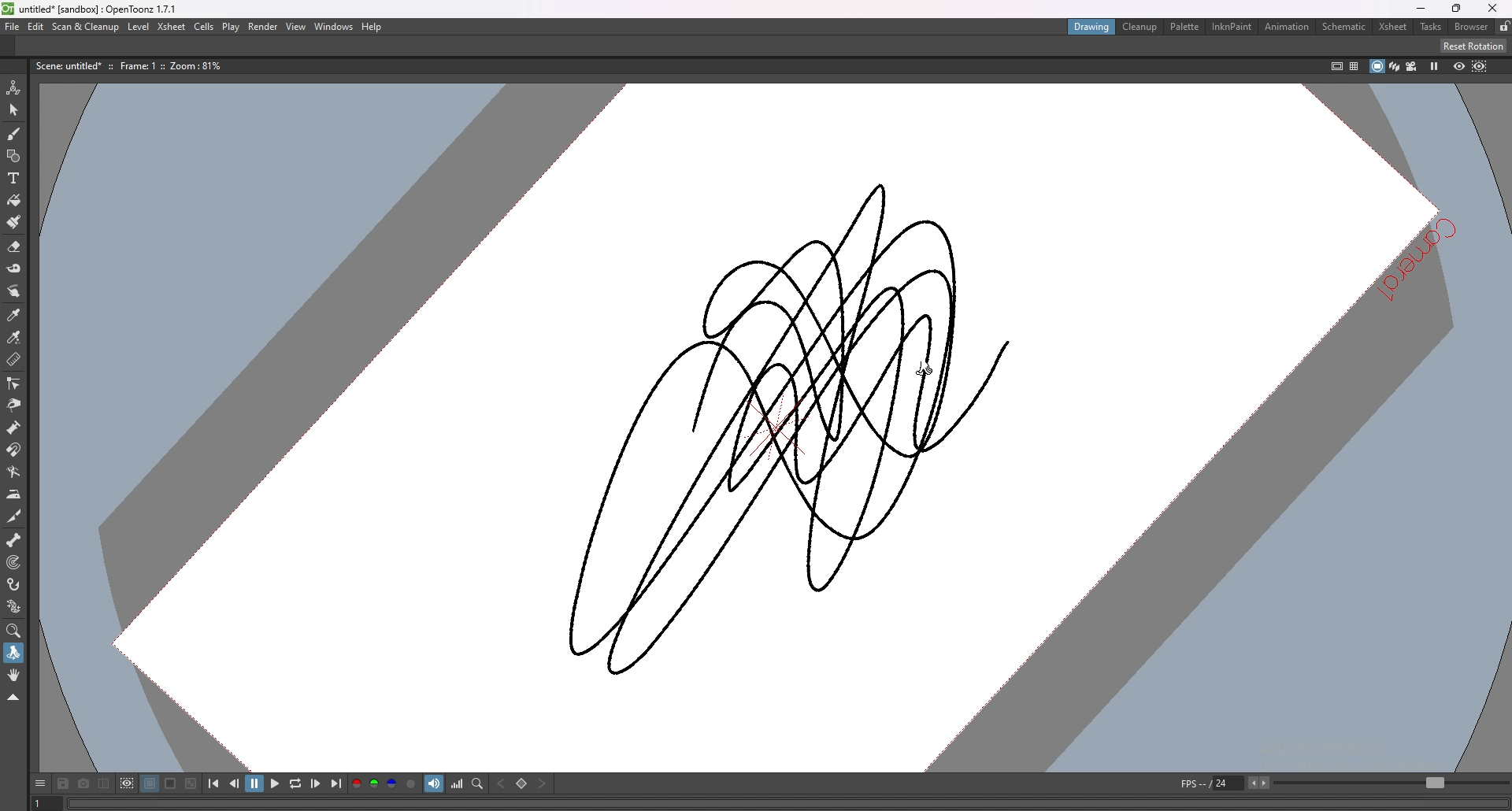 The image size is (1512, 811). Describe the element at coordinates (295, 784) in the screenshot. I see `loop` at that location.